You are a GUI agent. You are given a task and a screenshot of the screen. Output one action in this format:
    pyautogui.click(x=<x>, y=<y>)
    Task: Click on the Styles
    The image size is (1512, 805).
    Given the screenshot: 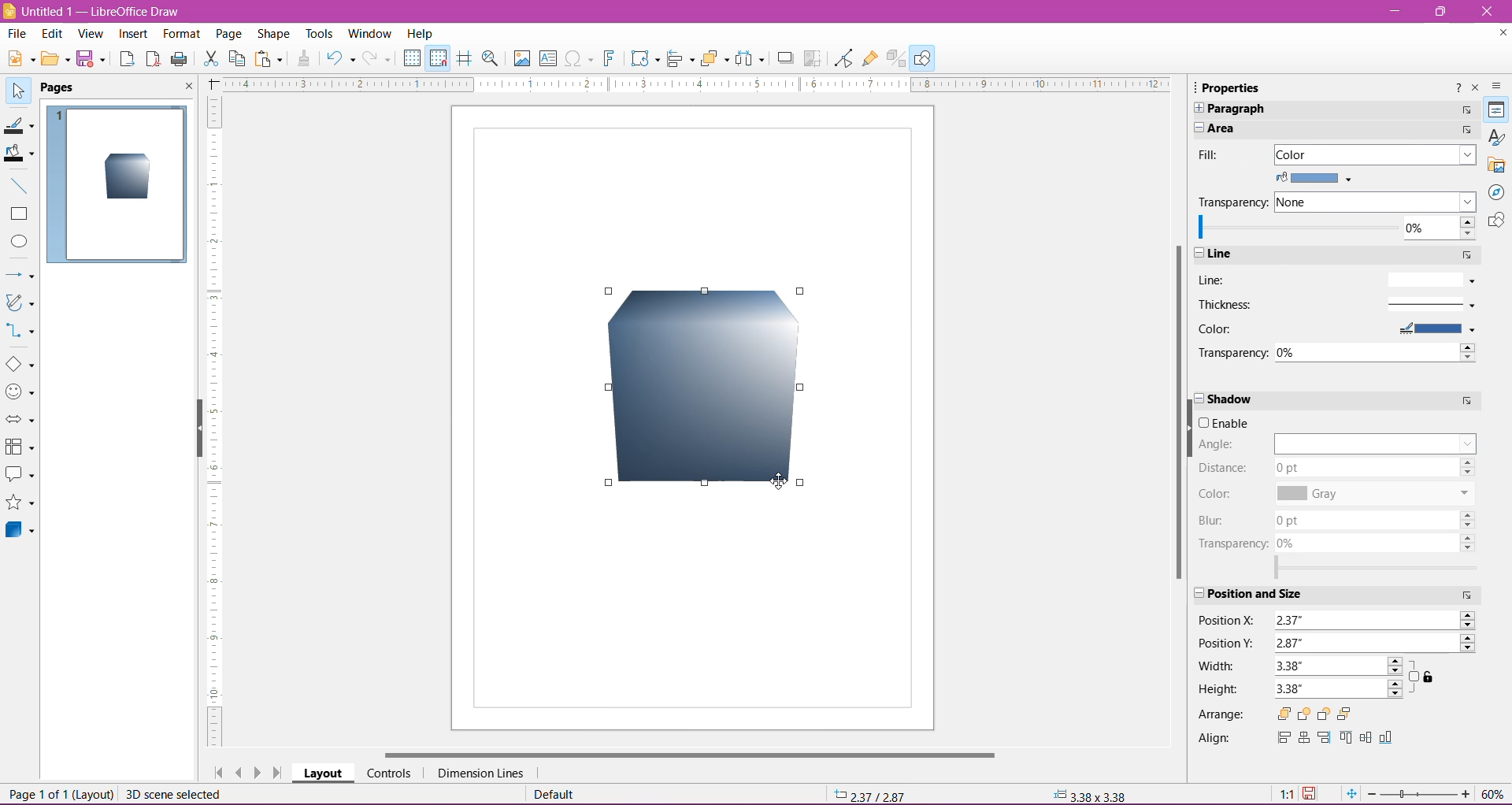 What is the action you would take?
    pyautogui.click(x=1495, y=137)
    